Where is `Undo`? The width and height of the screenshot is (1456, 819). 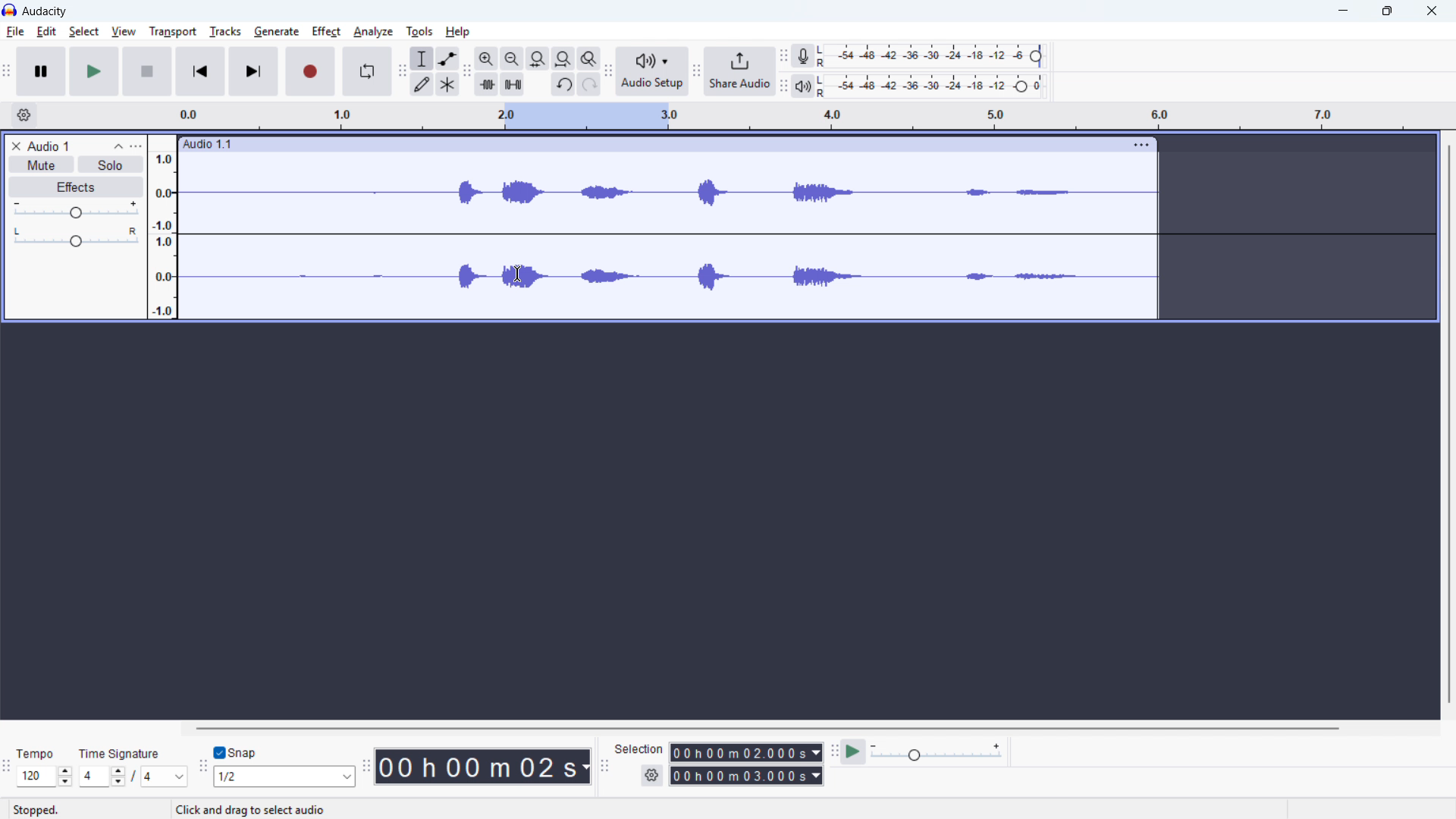
Undo is located at coordinates (563, 84).